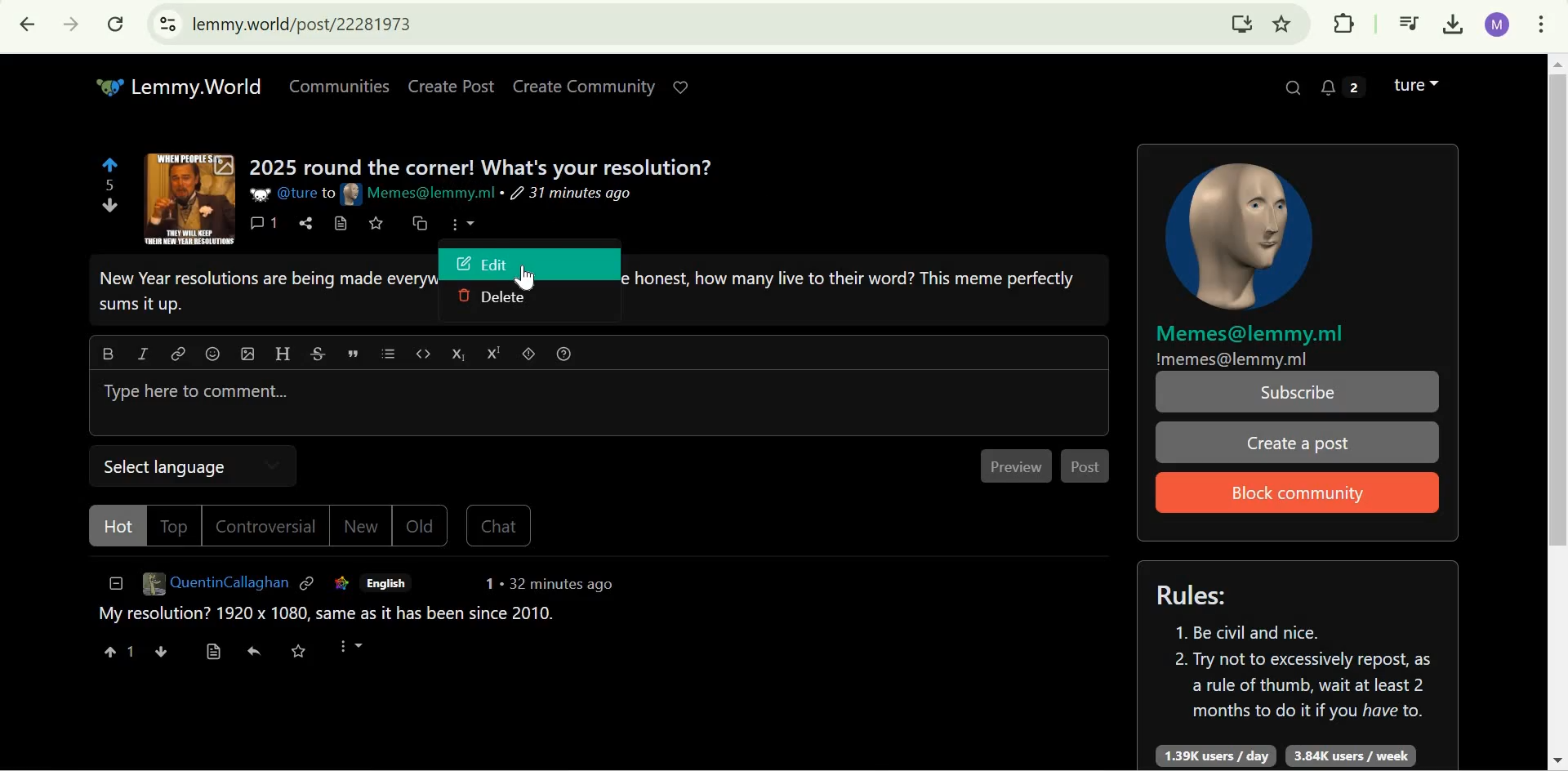 The height and width of the screenshot is (771, 1568). I want to click on customize and control google chrome, so click(1541, 27).